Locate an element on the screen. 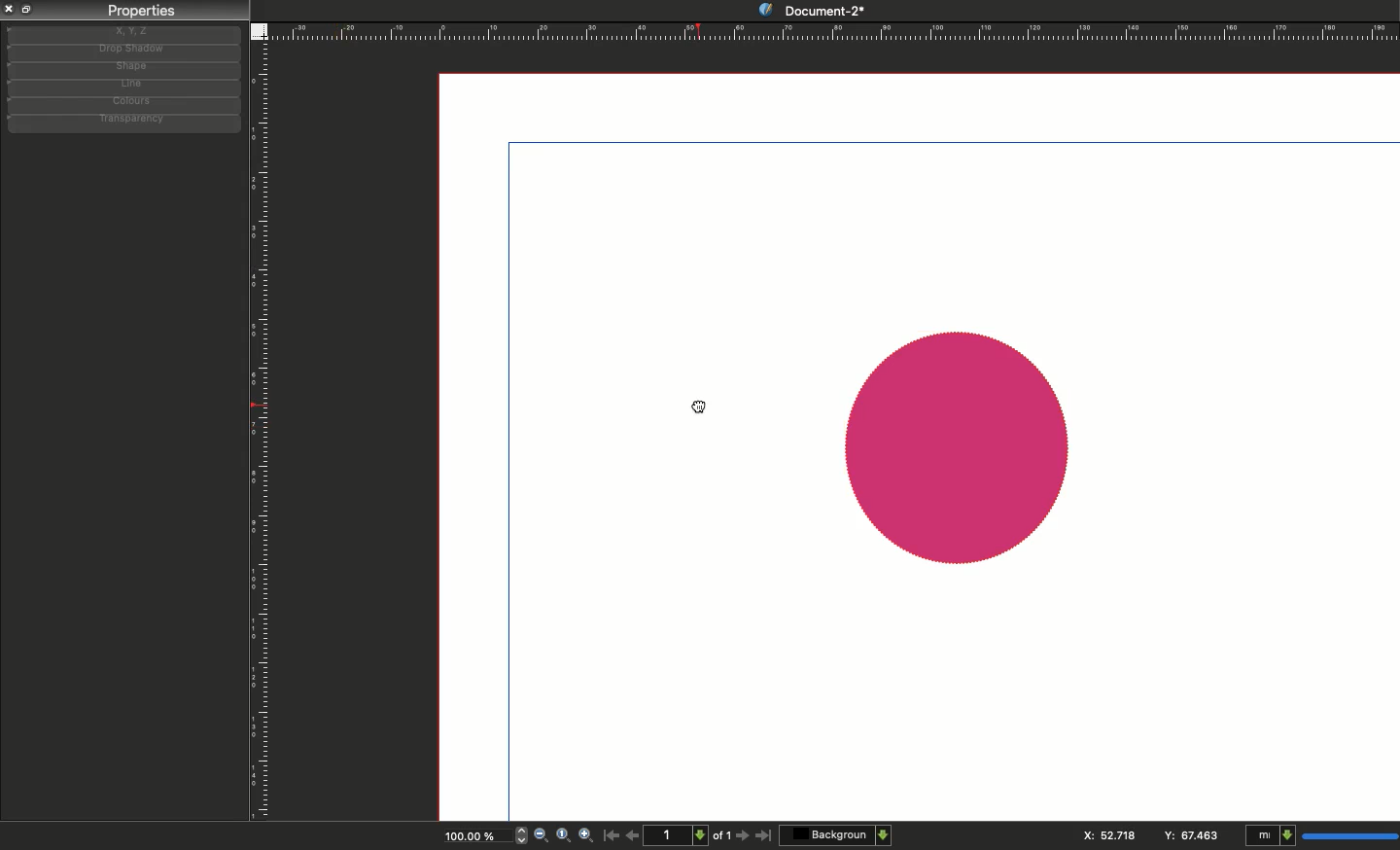  Zoom out is located at coordinates (541, 836).